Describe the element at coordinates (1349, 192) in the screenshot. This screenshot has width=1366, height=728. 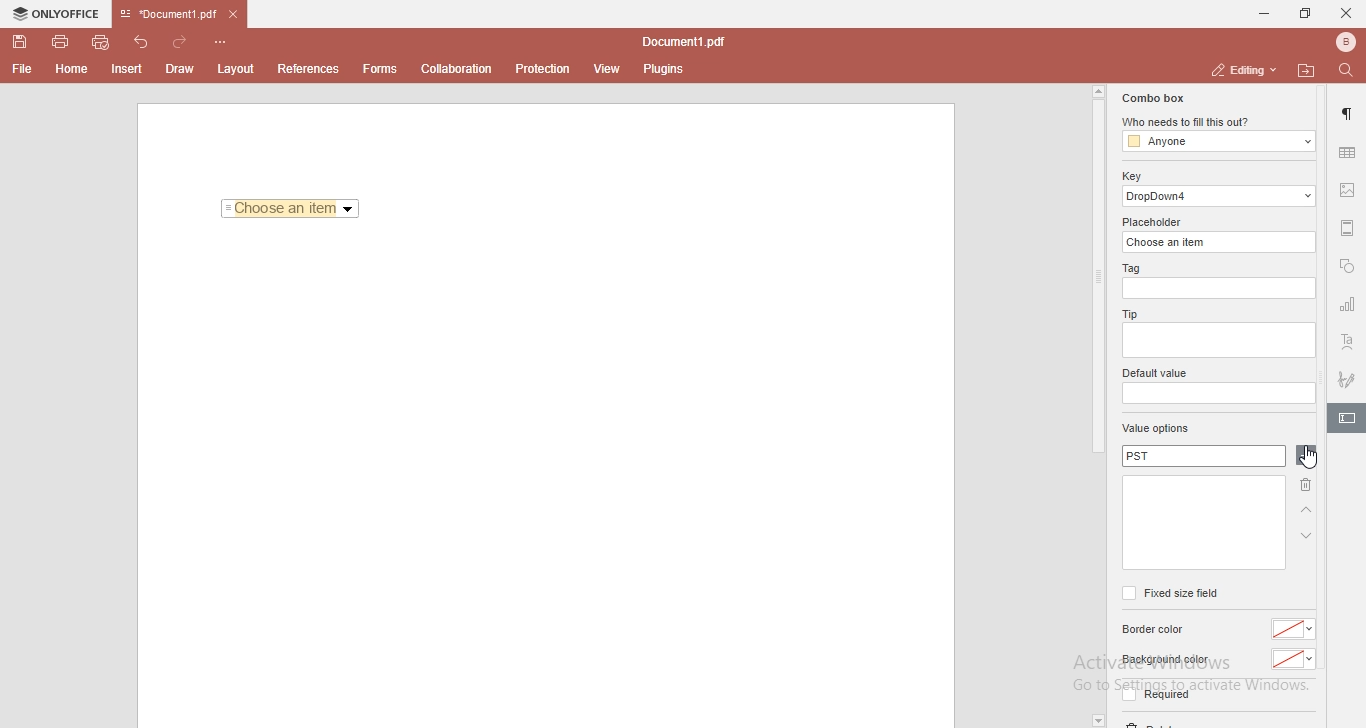
I see `image` at that location.